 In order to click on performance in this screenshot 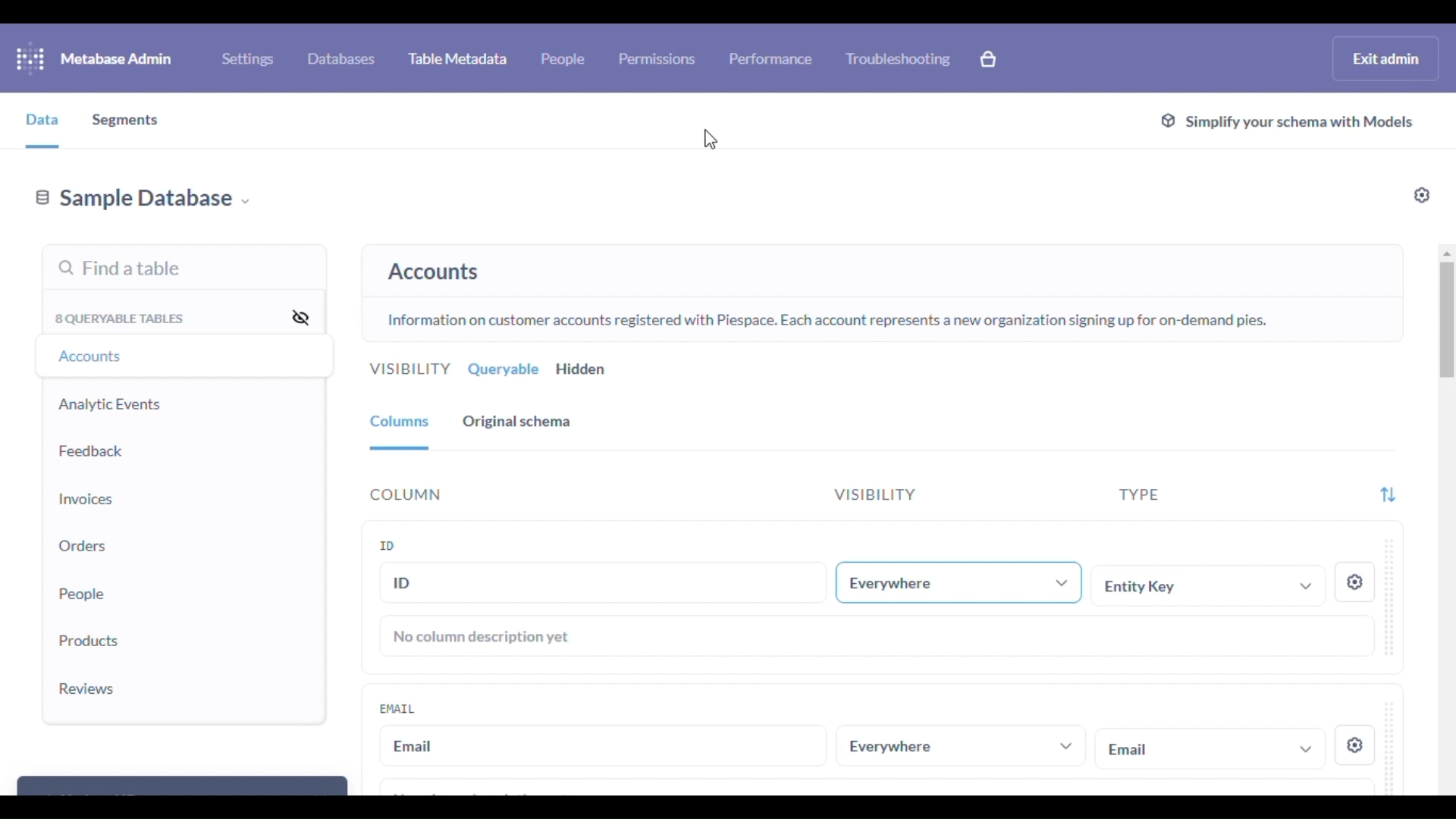, I will do `click(772, 58)`.